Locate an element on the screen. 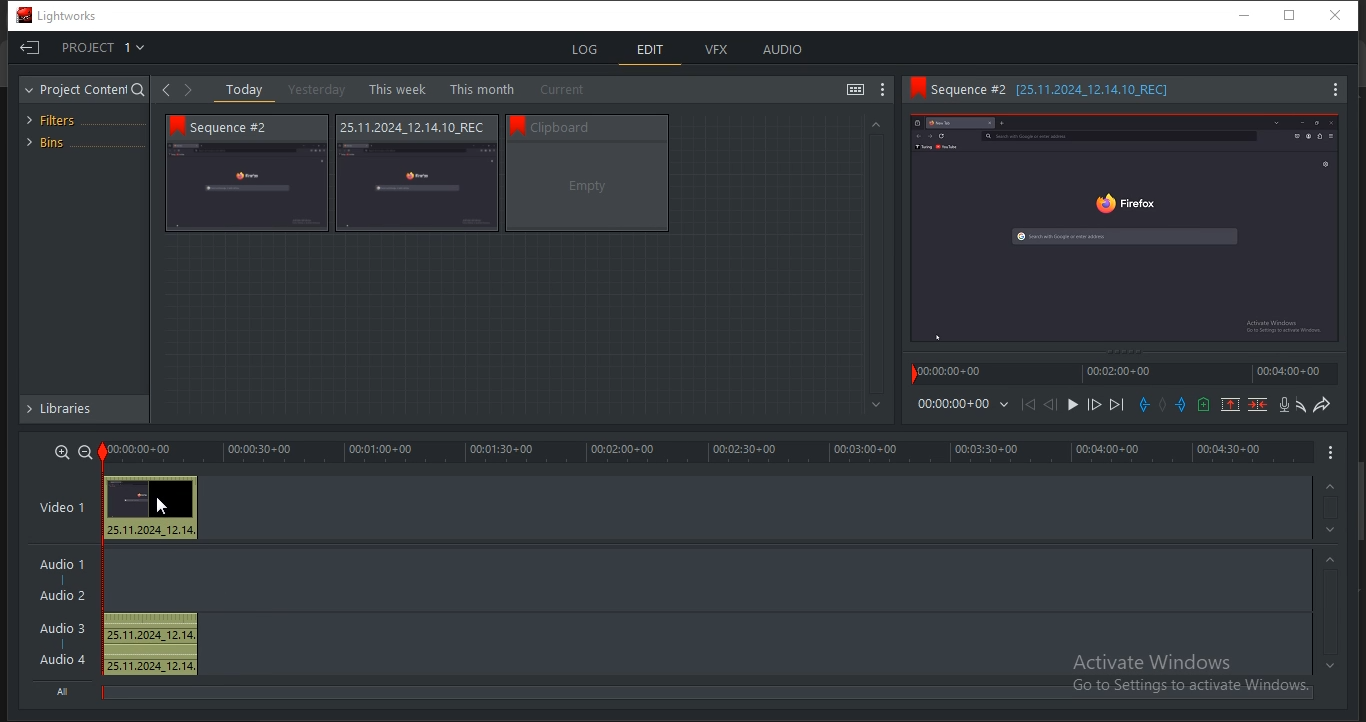 Image resolution: width=1366 pixels, height=722 pixels. minimize is located at coordinates (1251, 14).